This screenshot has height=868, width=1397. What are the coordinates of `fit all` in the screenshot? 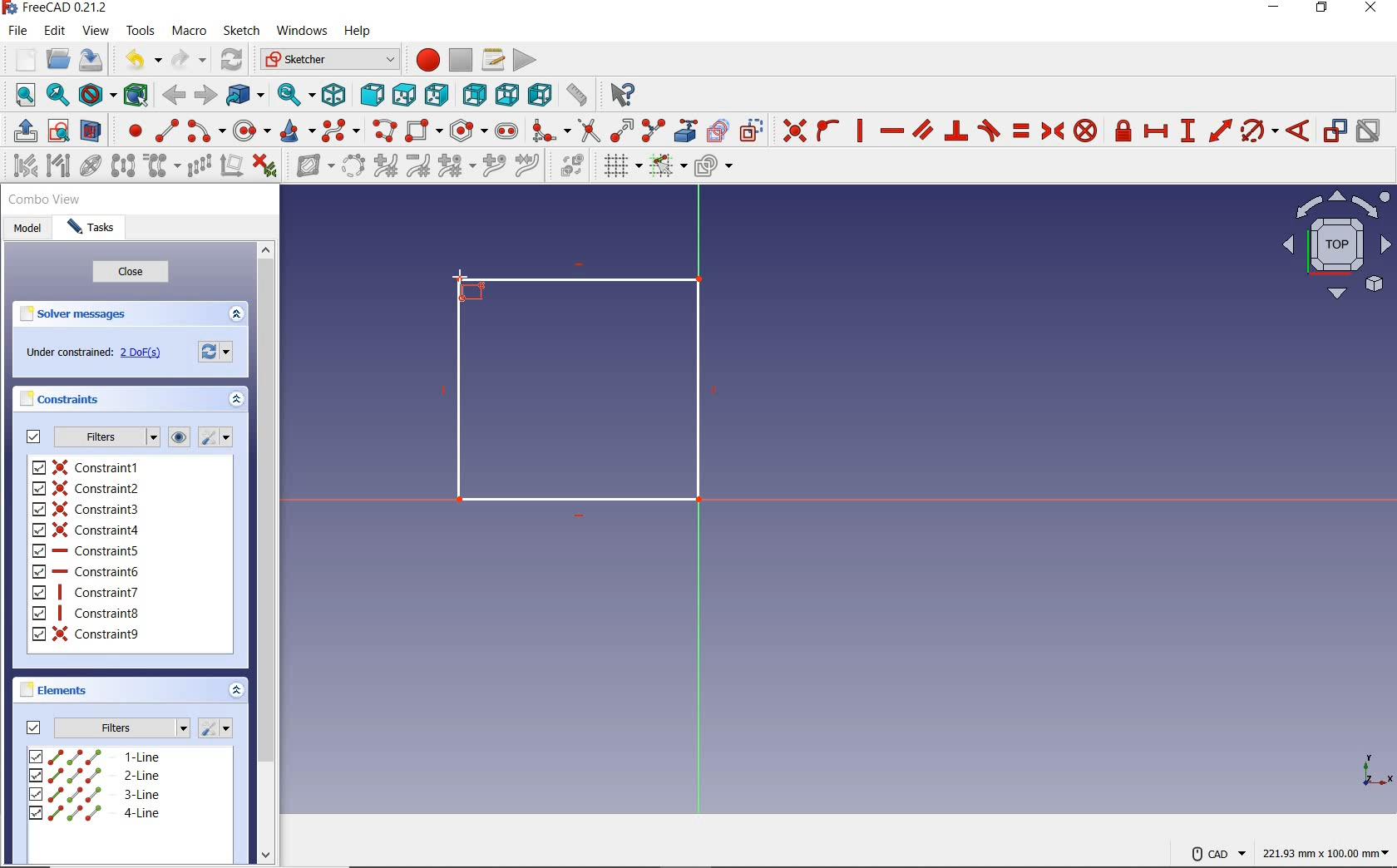 It's located at (20, 96).